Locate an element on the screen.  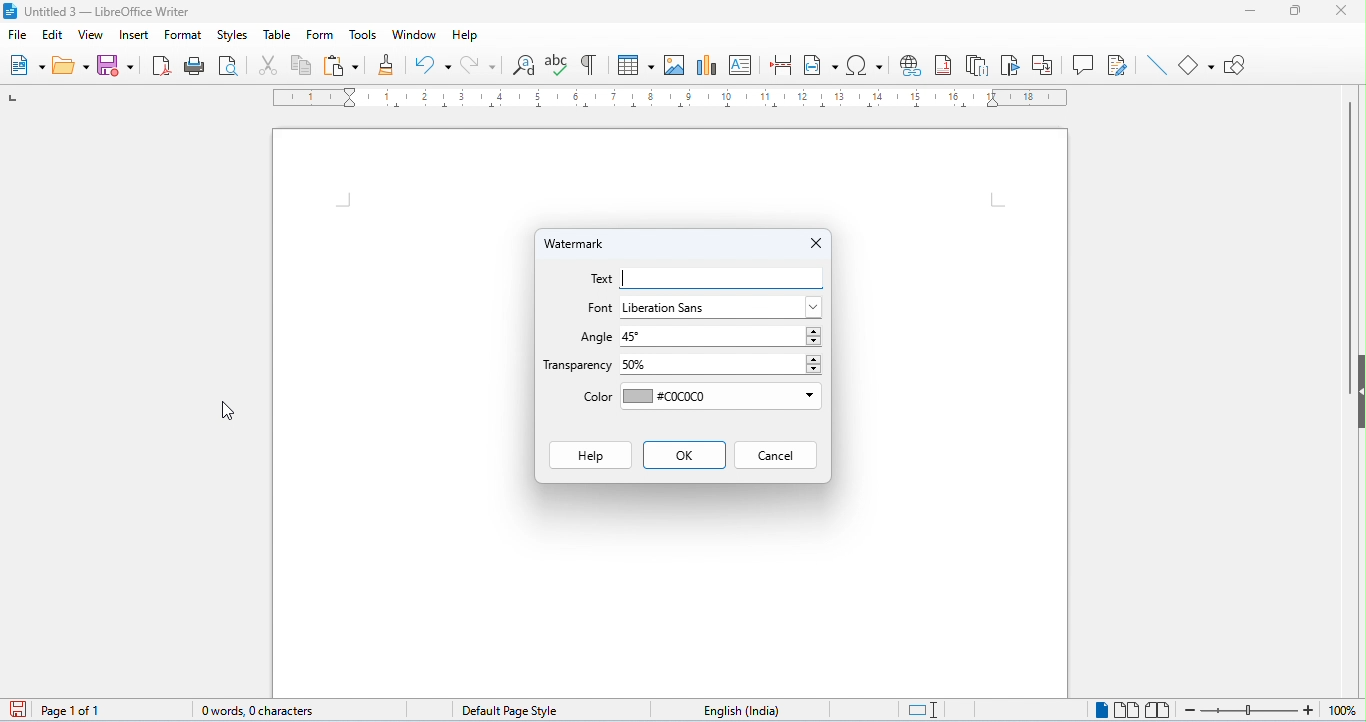
hidbar is located at coordinates (1361, 390).